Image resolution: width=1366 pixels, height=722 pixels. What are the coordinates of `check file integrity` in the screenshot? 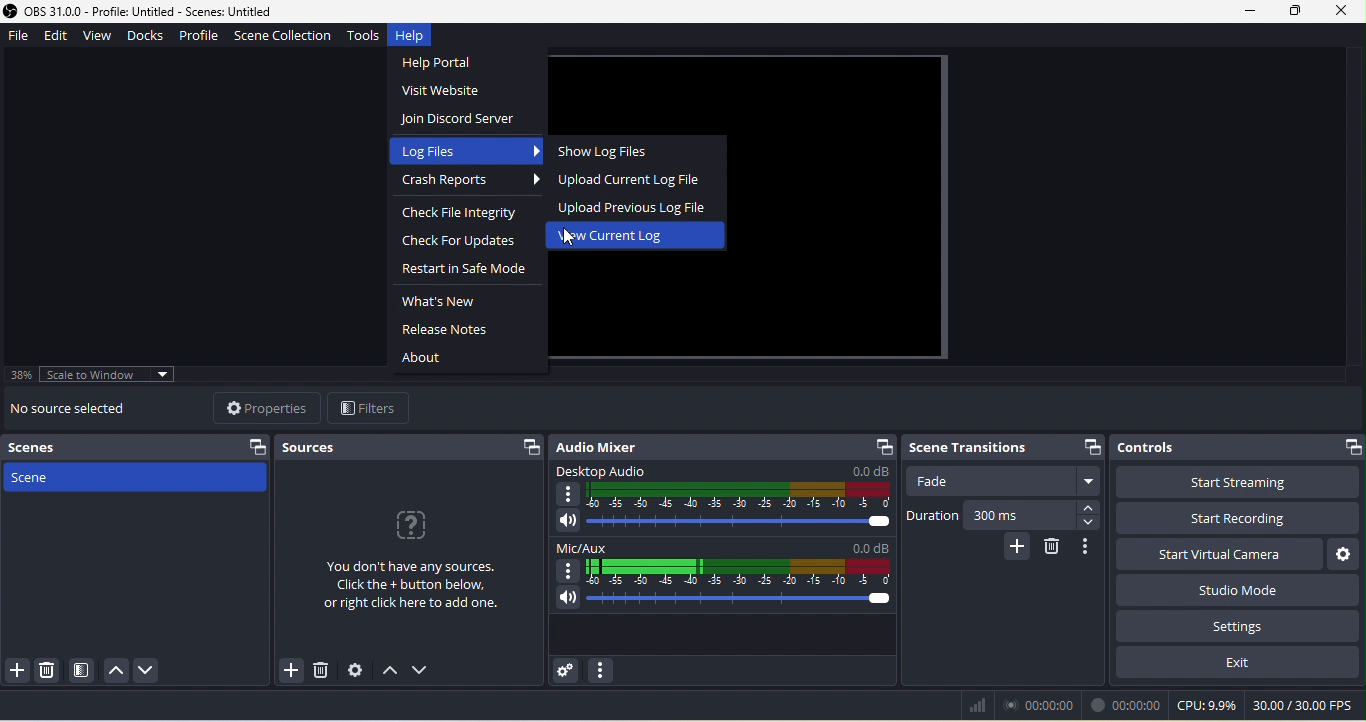 It's located at (471, 215).